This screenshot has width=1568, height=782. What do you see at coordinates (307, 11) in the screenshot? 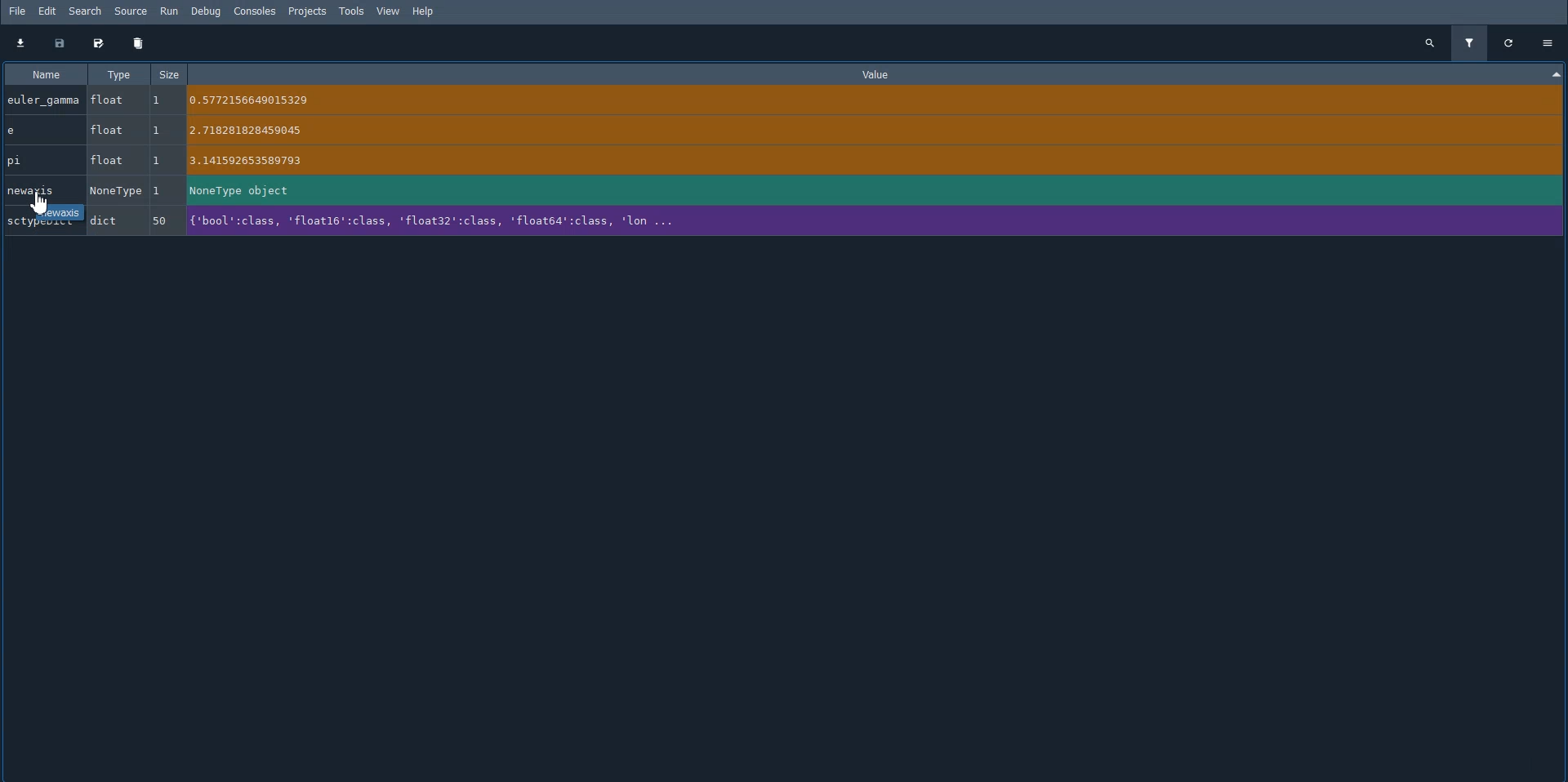
I see `Projects` at bounding box center [307, 11].